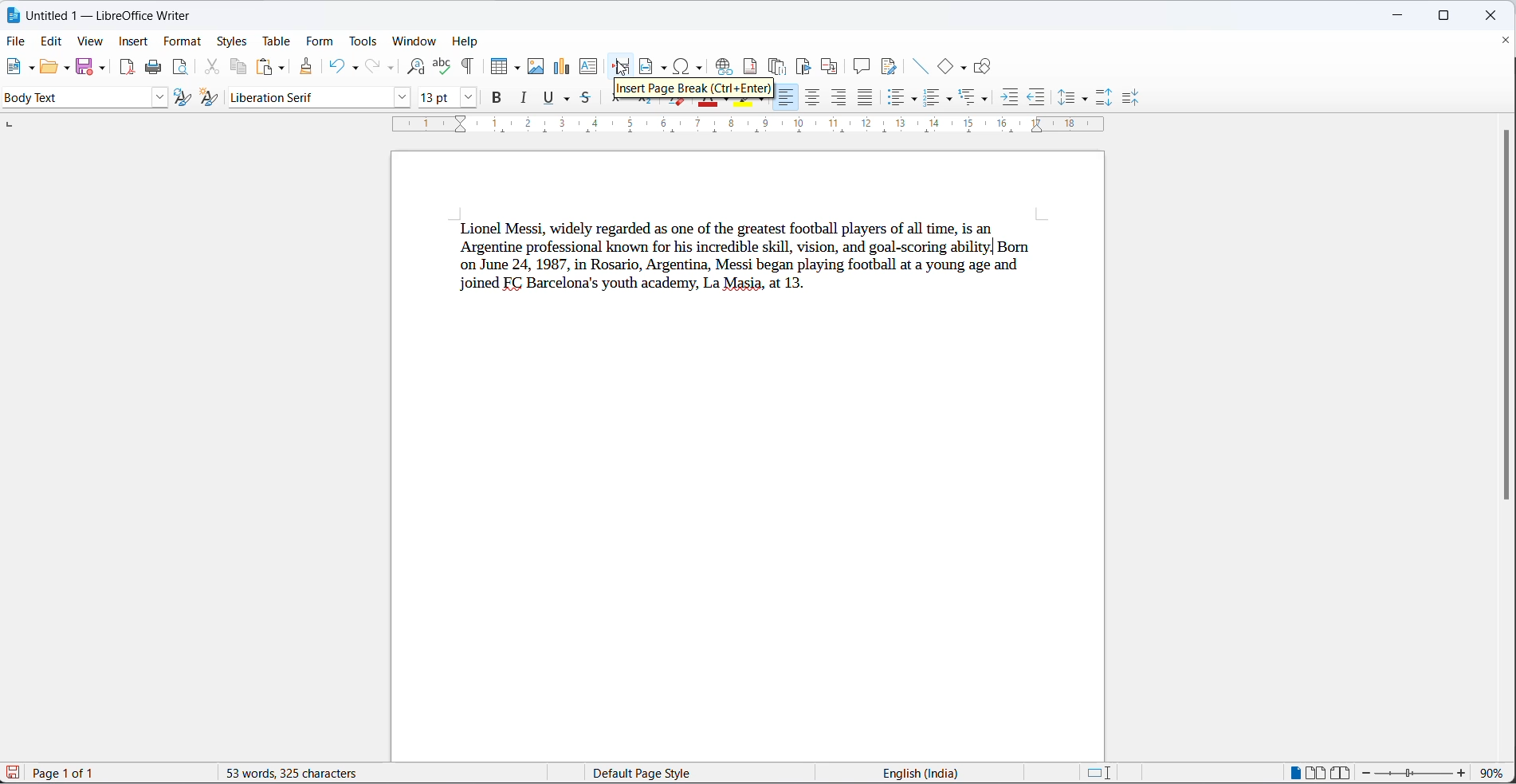 Image resolution: width=1516 pixels, height=784 pixels. I want to click on view, so click(89, 40).